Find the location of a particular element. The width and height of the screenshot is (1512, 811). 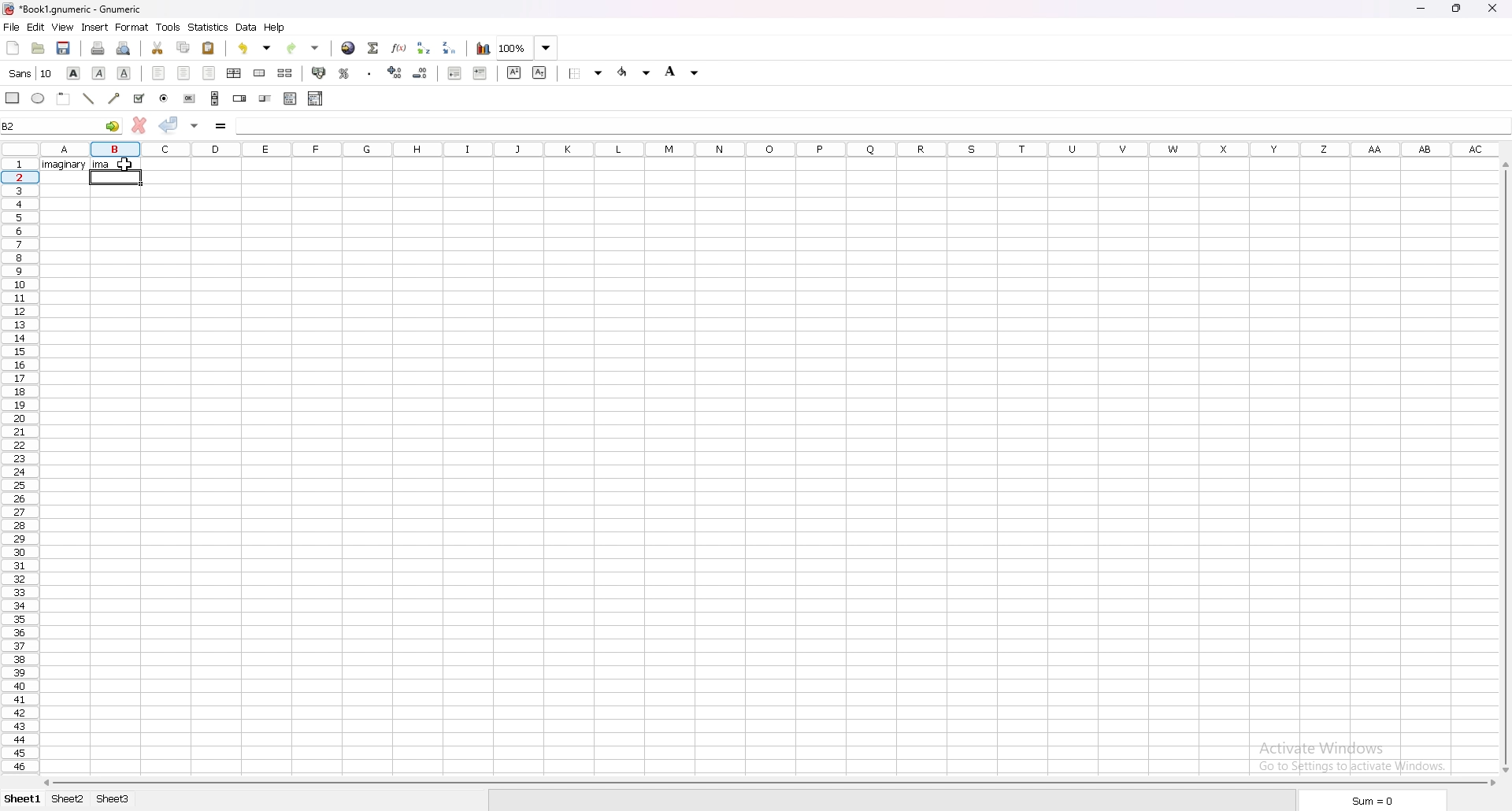

scroll bar is located at coordinates (216, 98).